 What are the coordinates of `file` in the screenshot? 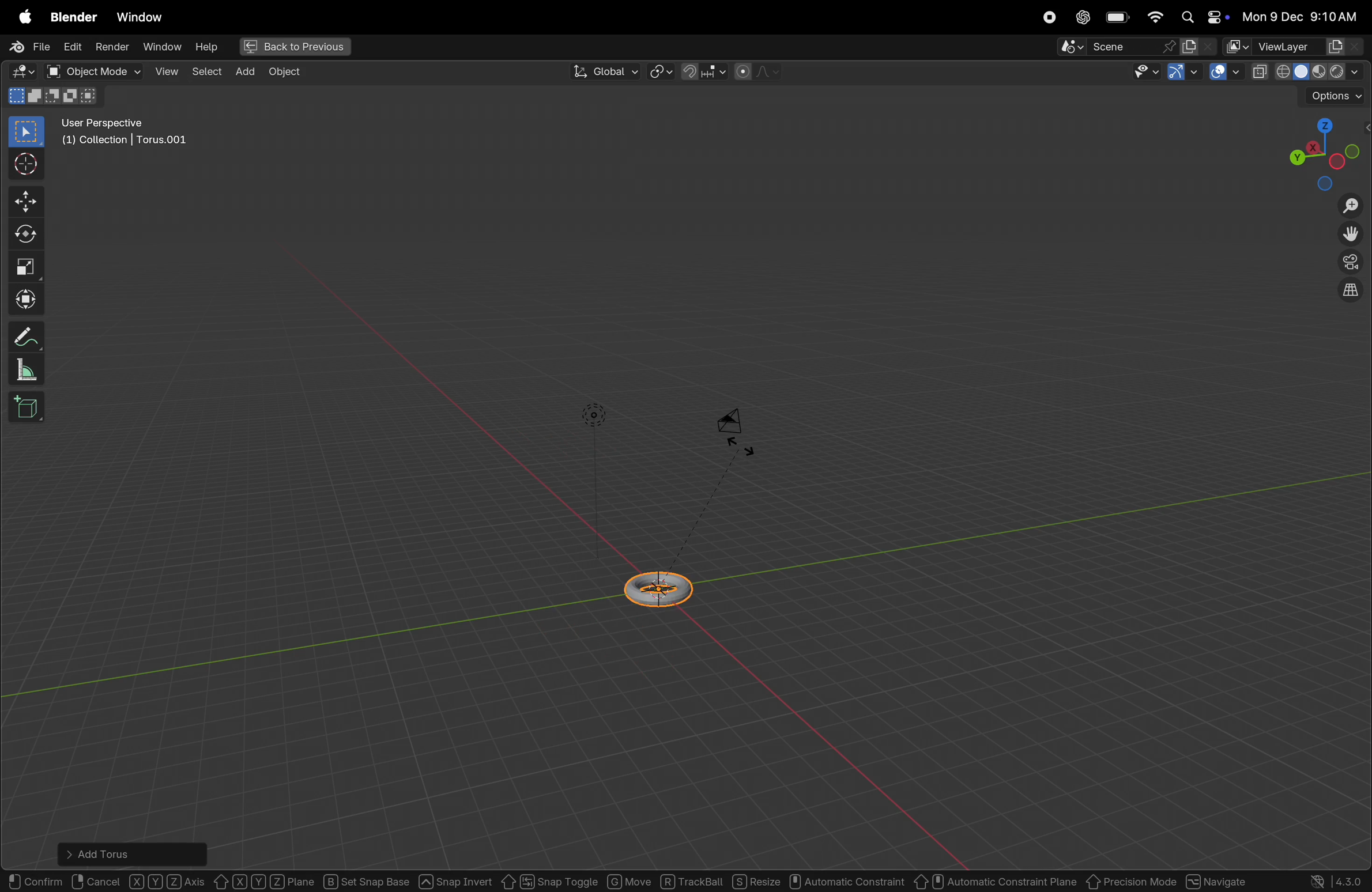 It's located at (27, 47).